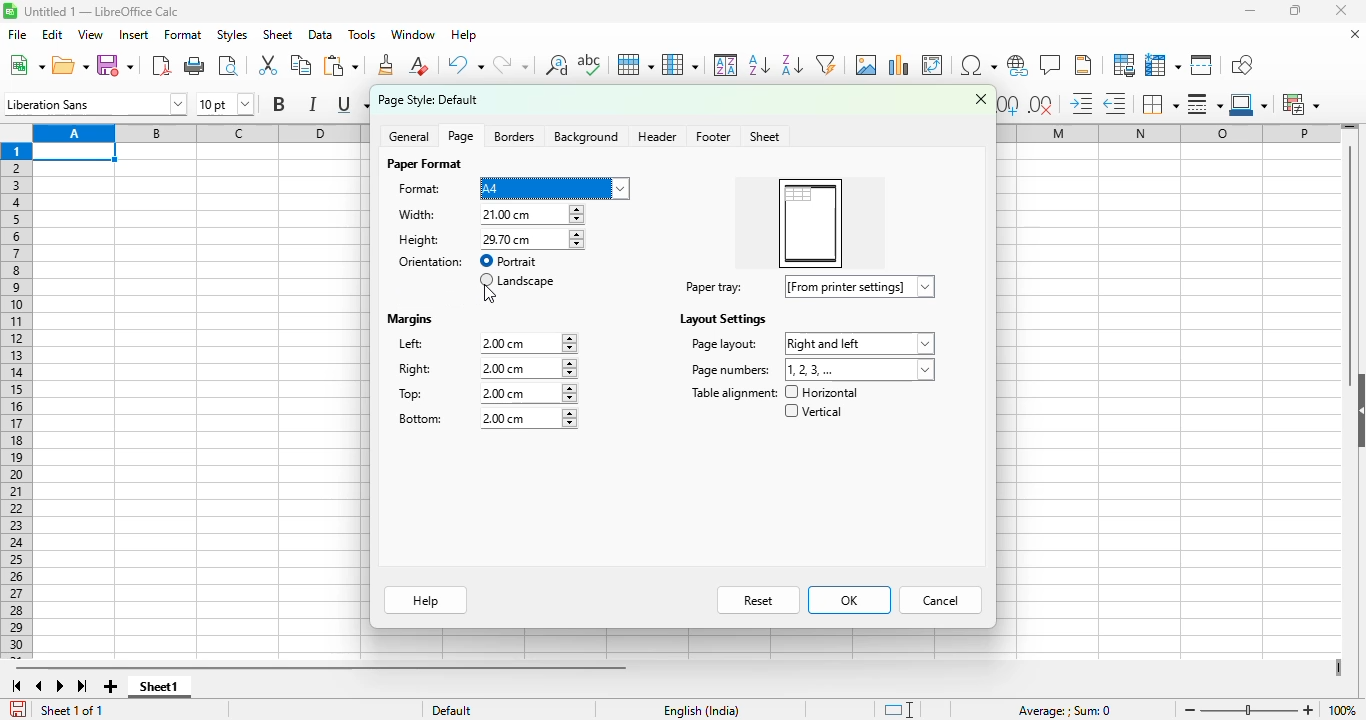 This screenshot has width=1366, height=720. Describe the element at coordinates (362, 34) in the screenshot. I see `tools` at that location.